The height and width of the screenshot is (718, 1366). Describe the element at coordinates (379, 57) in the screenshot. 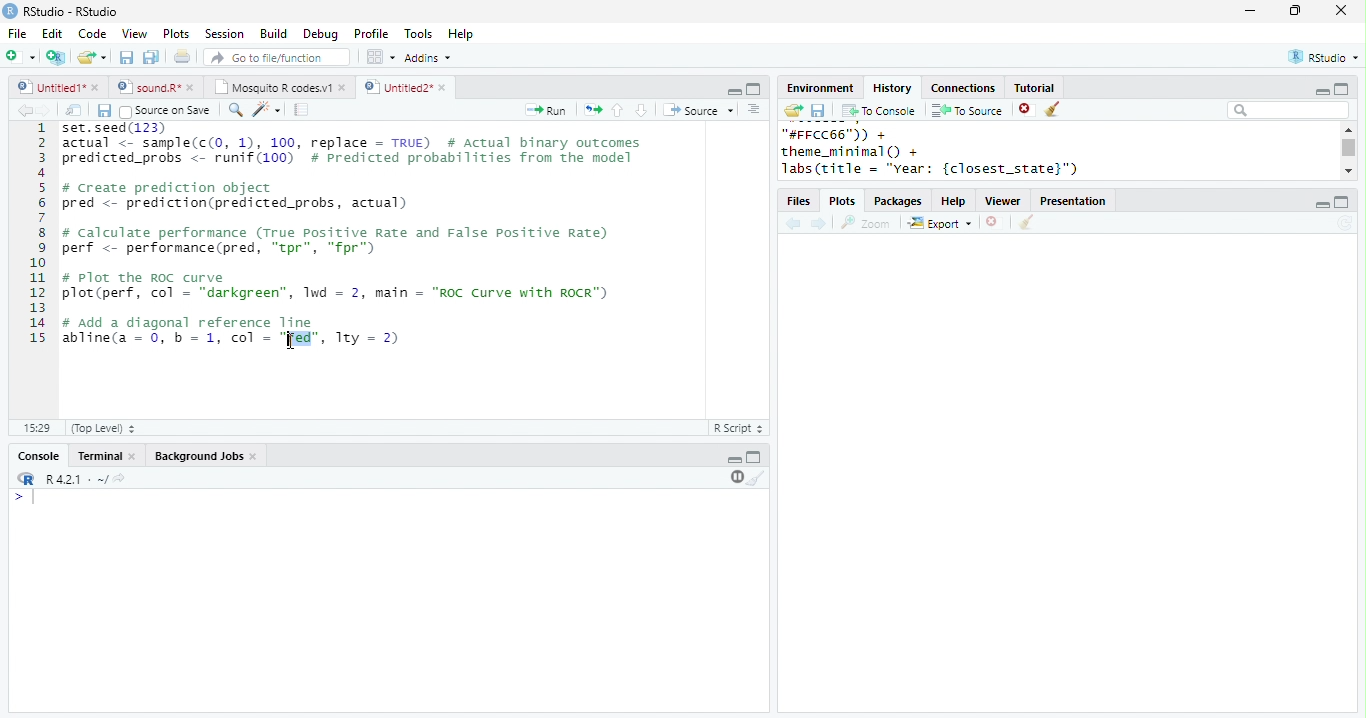

I see `options` at that location.